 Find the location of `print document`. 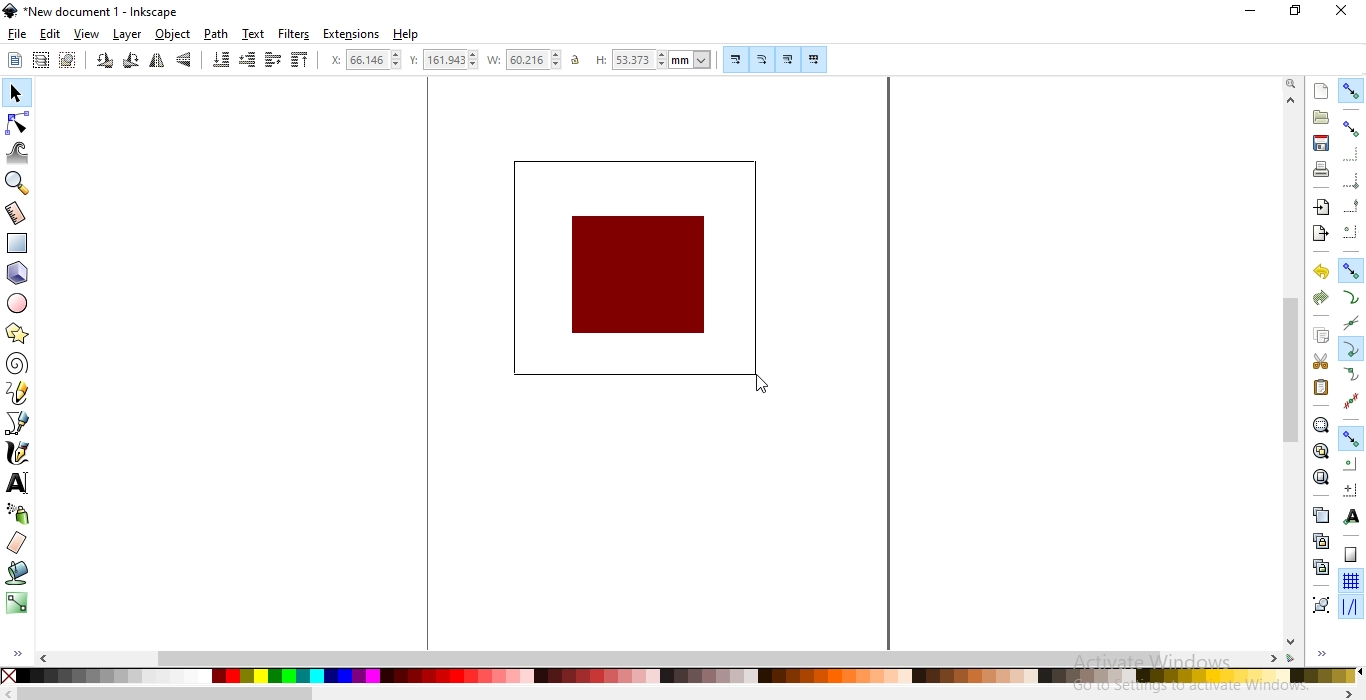

print document is located at coordinates (1319, 169).